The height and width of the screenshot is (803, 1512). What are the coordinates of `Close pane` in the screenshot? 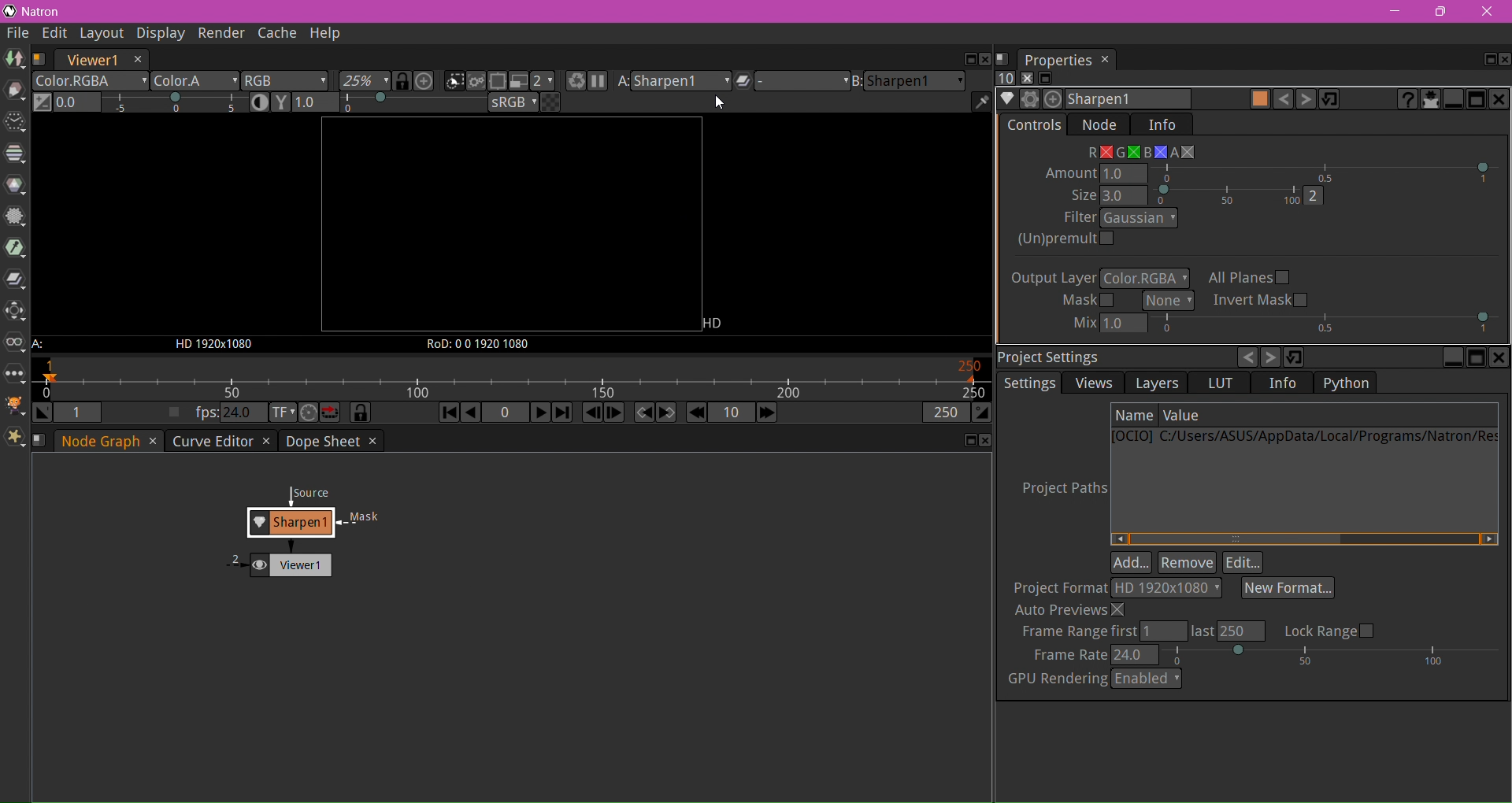 It's located at (985, 60).